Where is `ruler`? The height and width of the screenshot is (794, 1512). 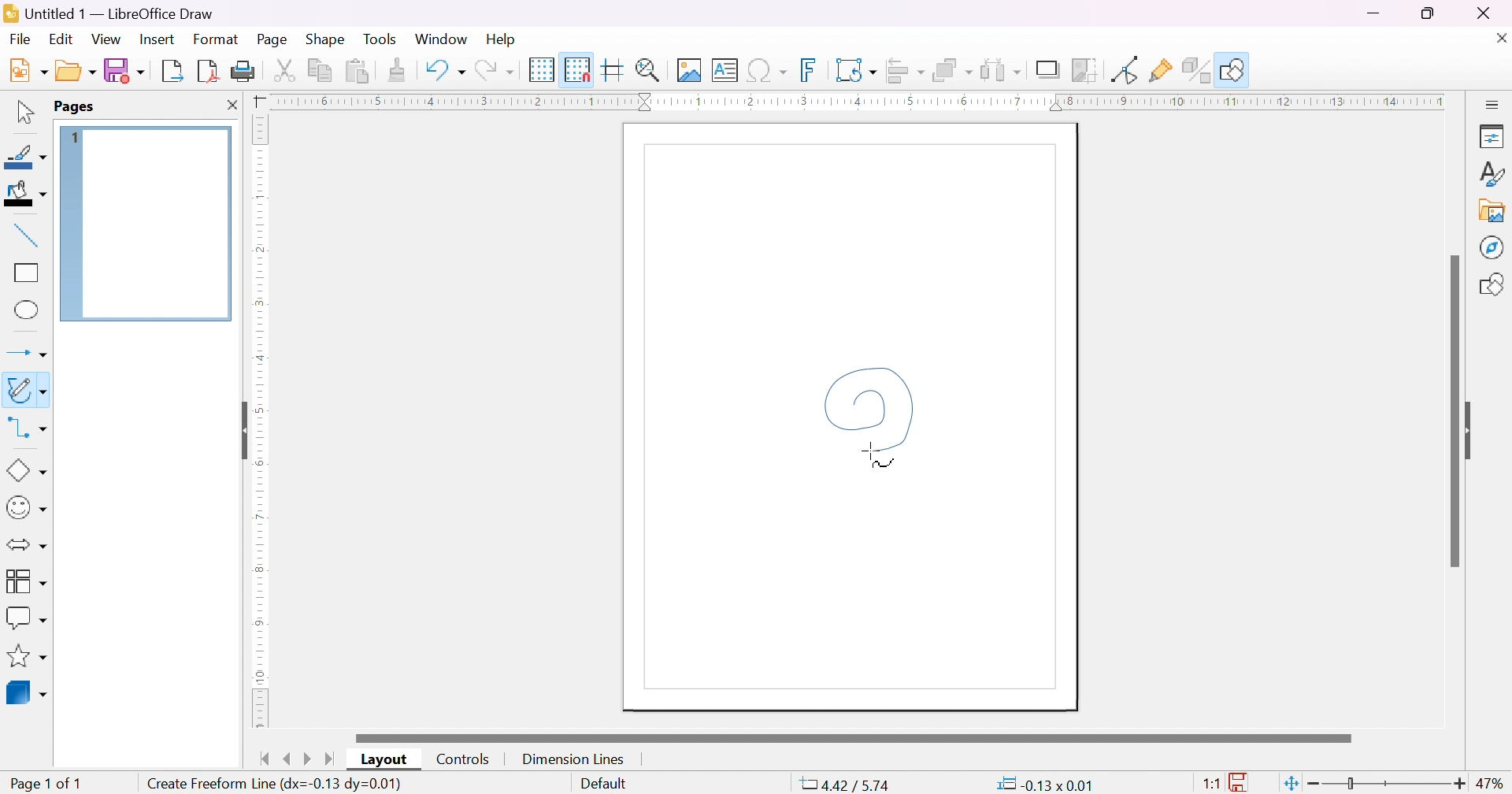 ruler is located at coordinates (256, 577).